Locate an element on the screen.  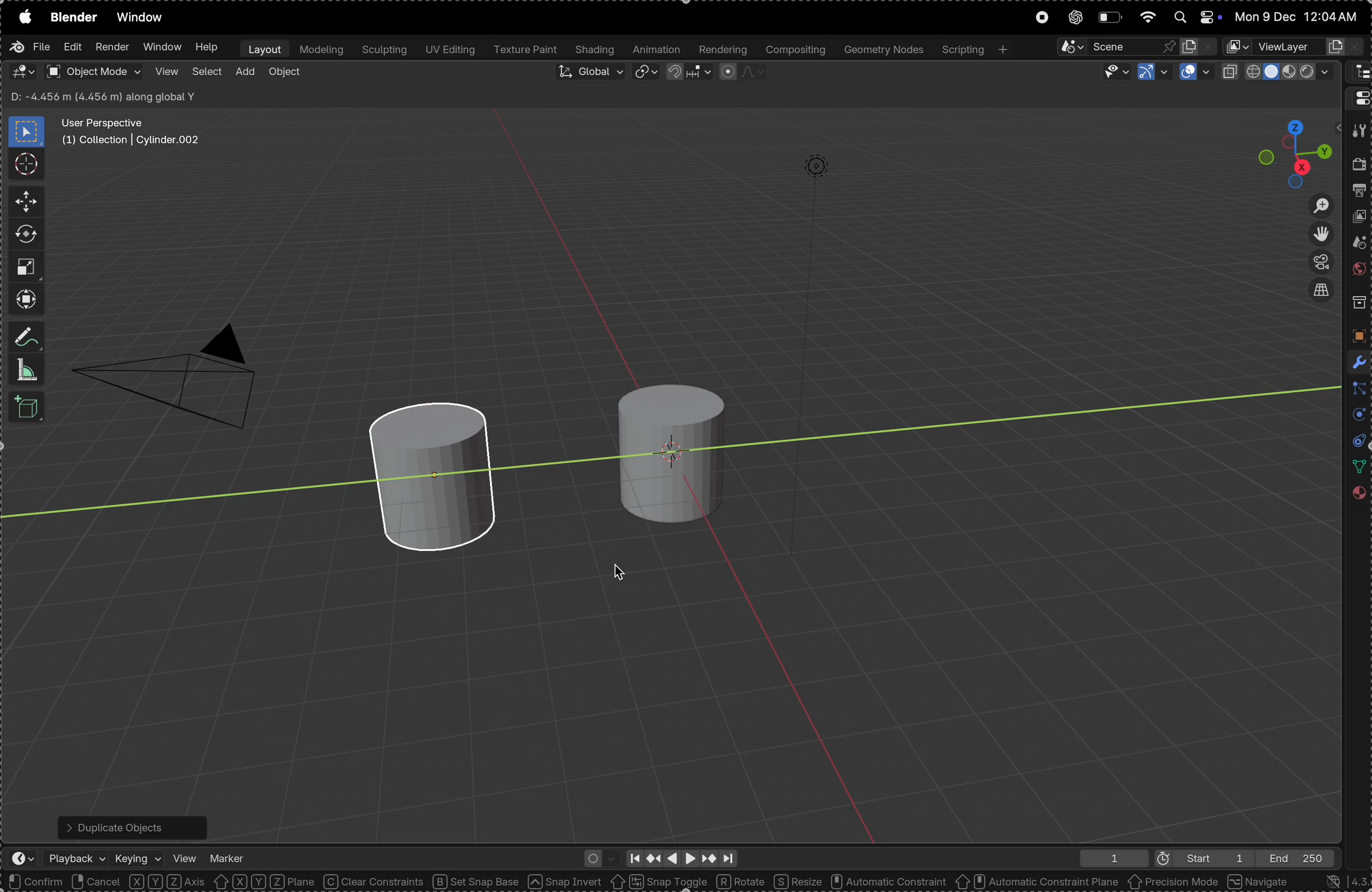
Geometry notes is located at coordinates (882, 49).